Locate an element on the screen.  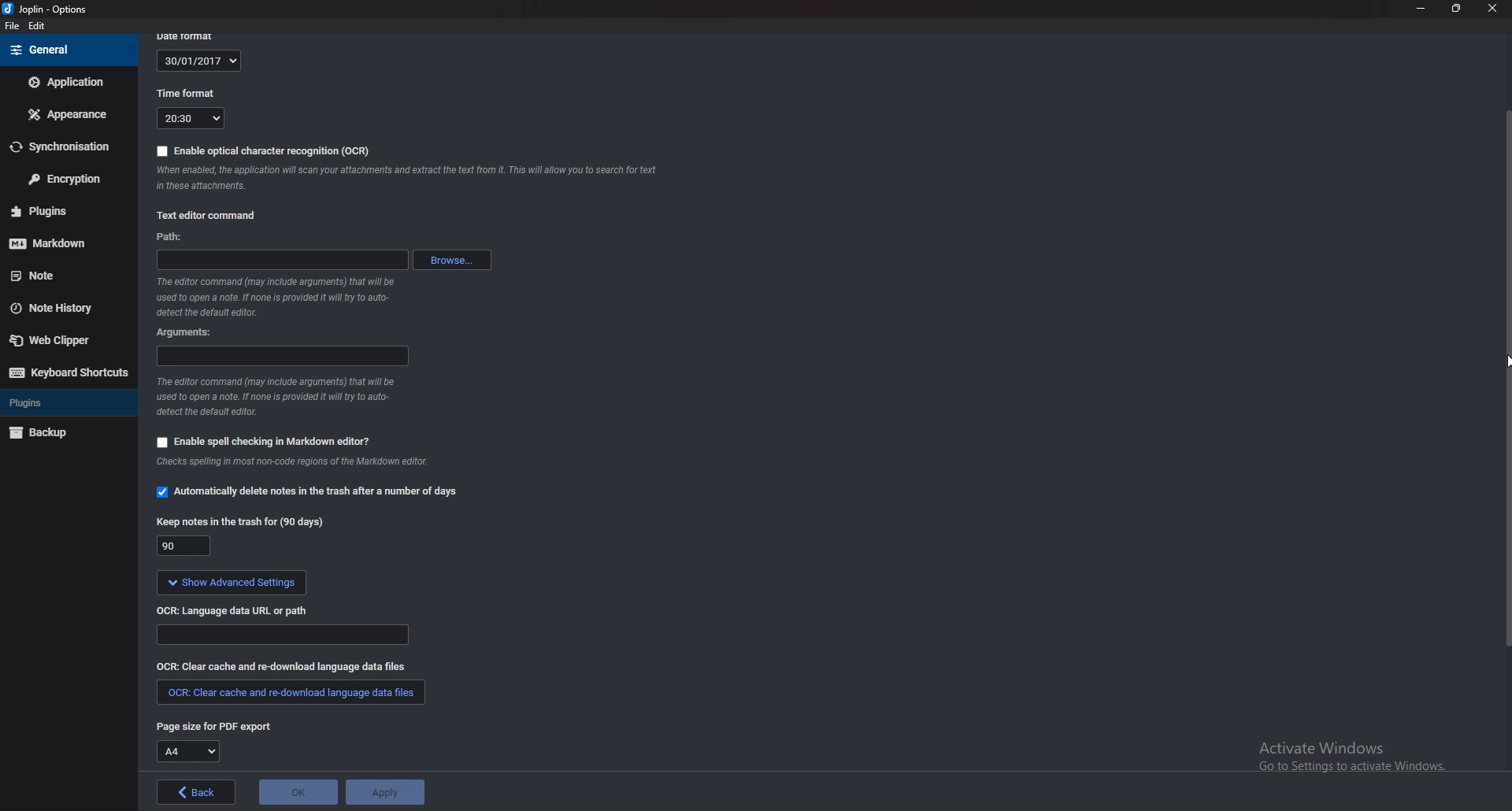
Edit is located at coordinates (37, 27).